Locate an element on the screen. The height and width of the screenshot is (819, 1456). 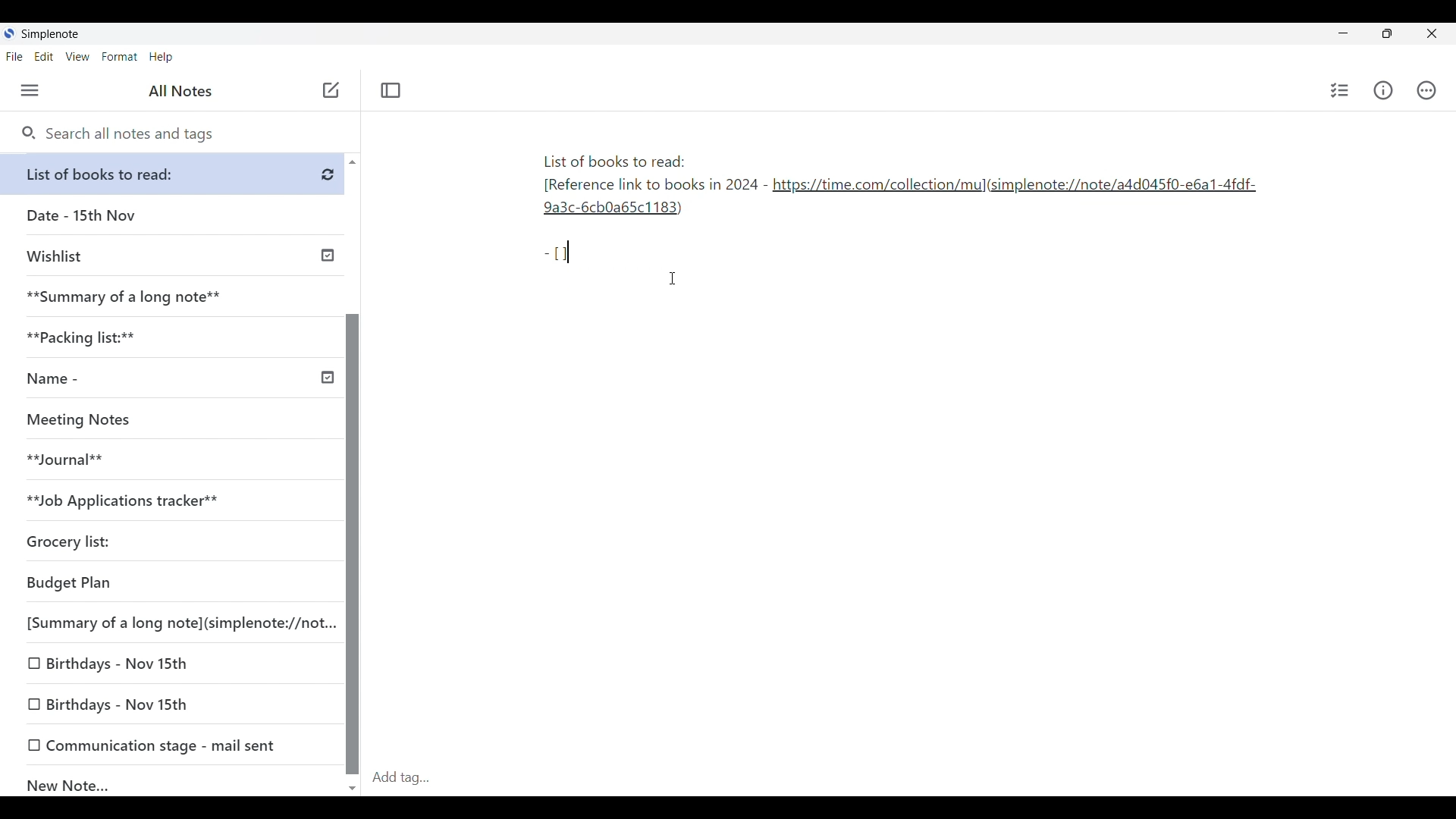
**Job Applications tracker** is located at coordinates (167, 501).